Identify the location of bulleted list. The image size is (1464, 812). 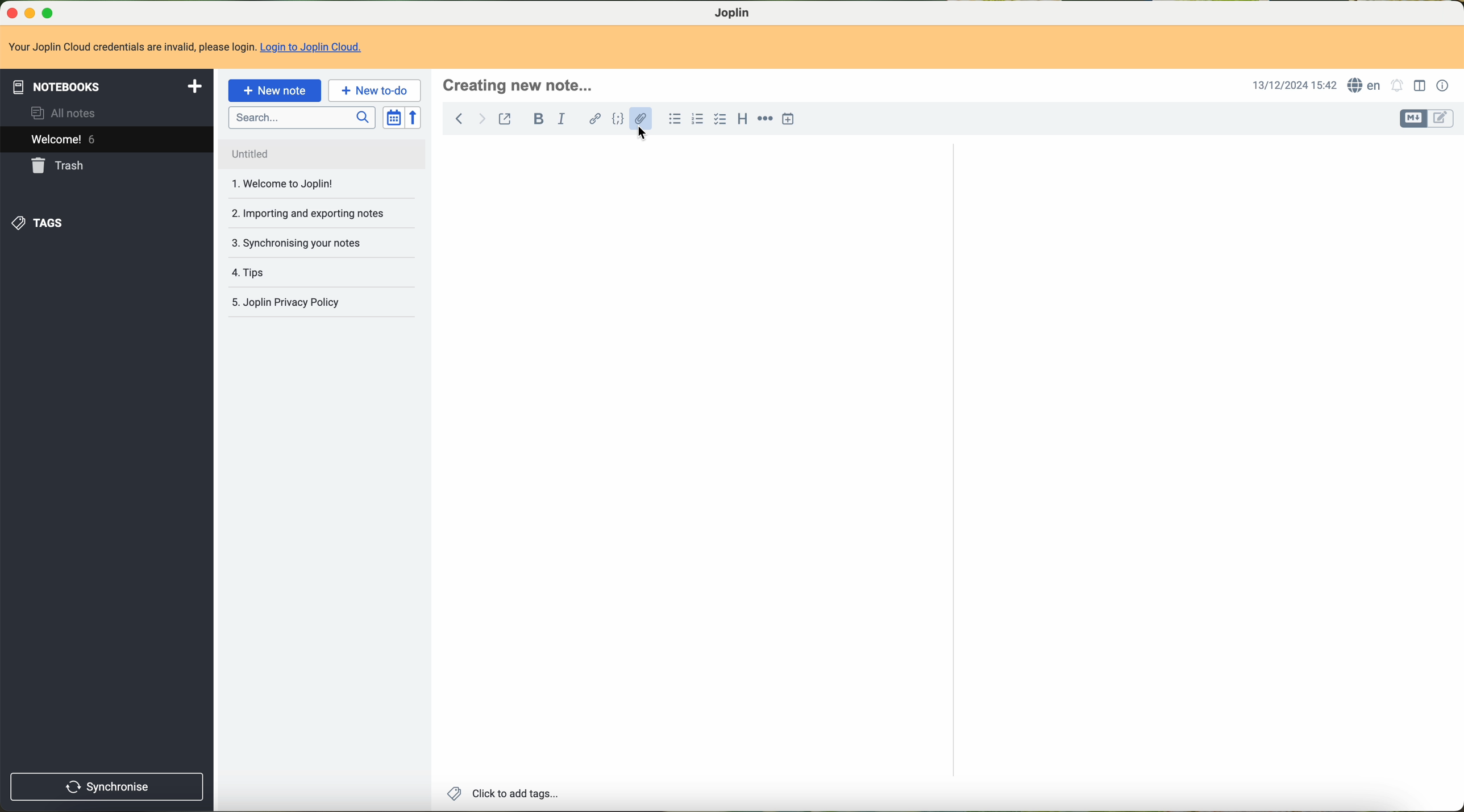
(675, 118).